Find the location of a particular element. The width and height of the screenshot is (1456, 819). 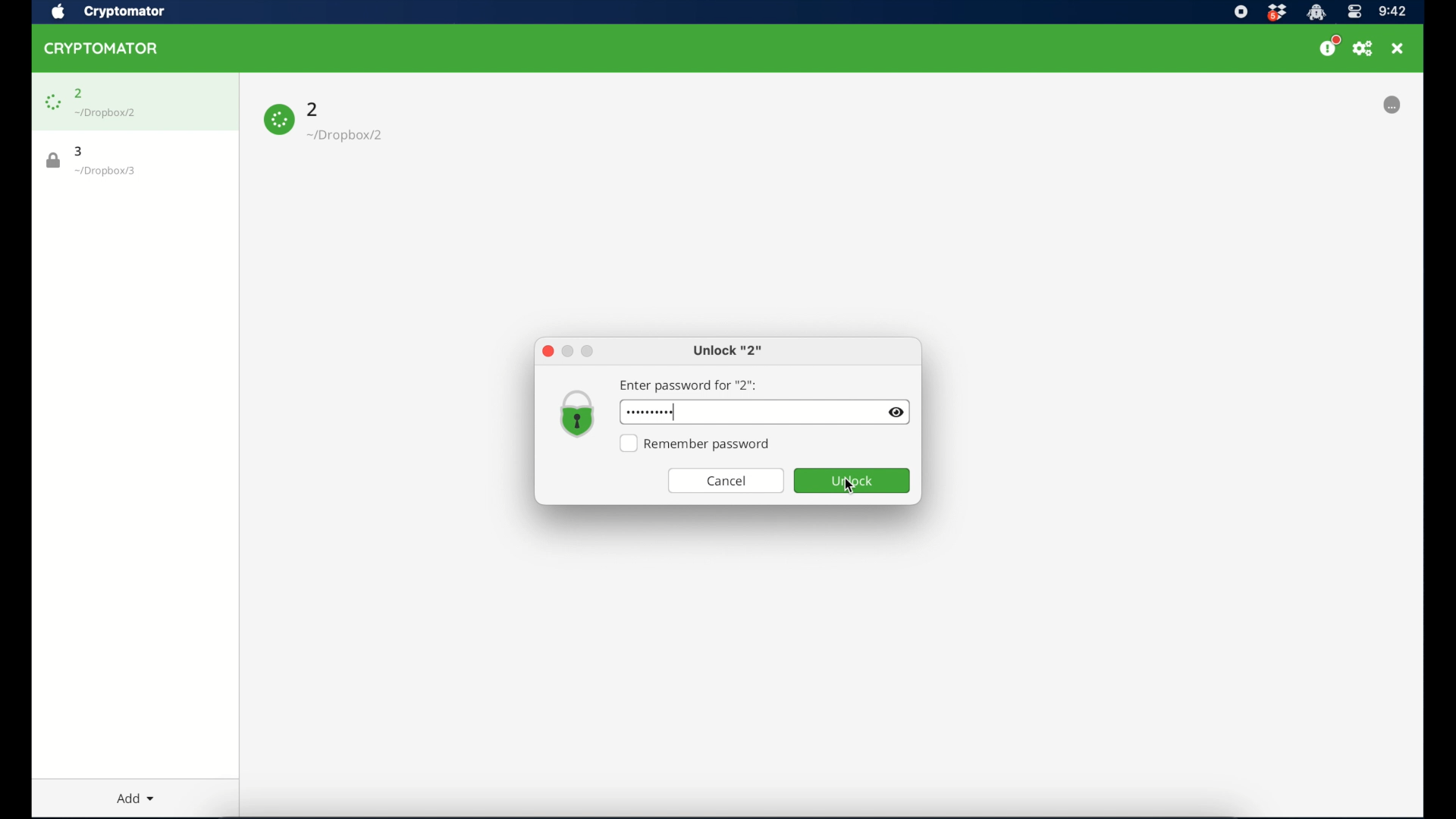

enter password 2 is located at coordinates (689, 385).